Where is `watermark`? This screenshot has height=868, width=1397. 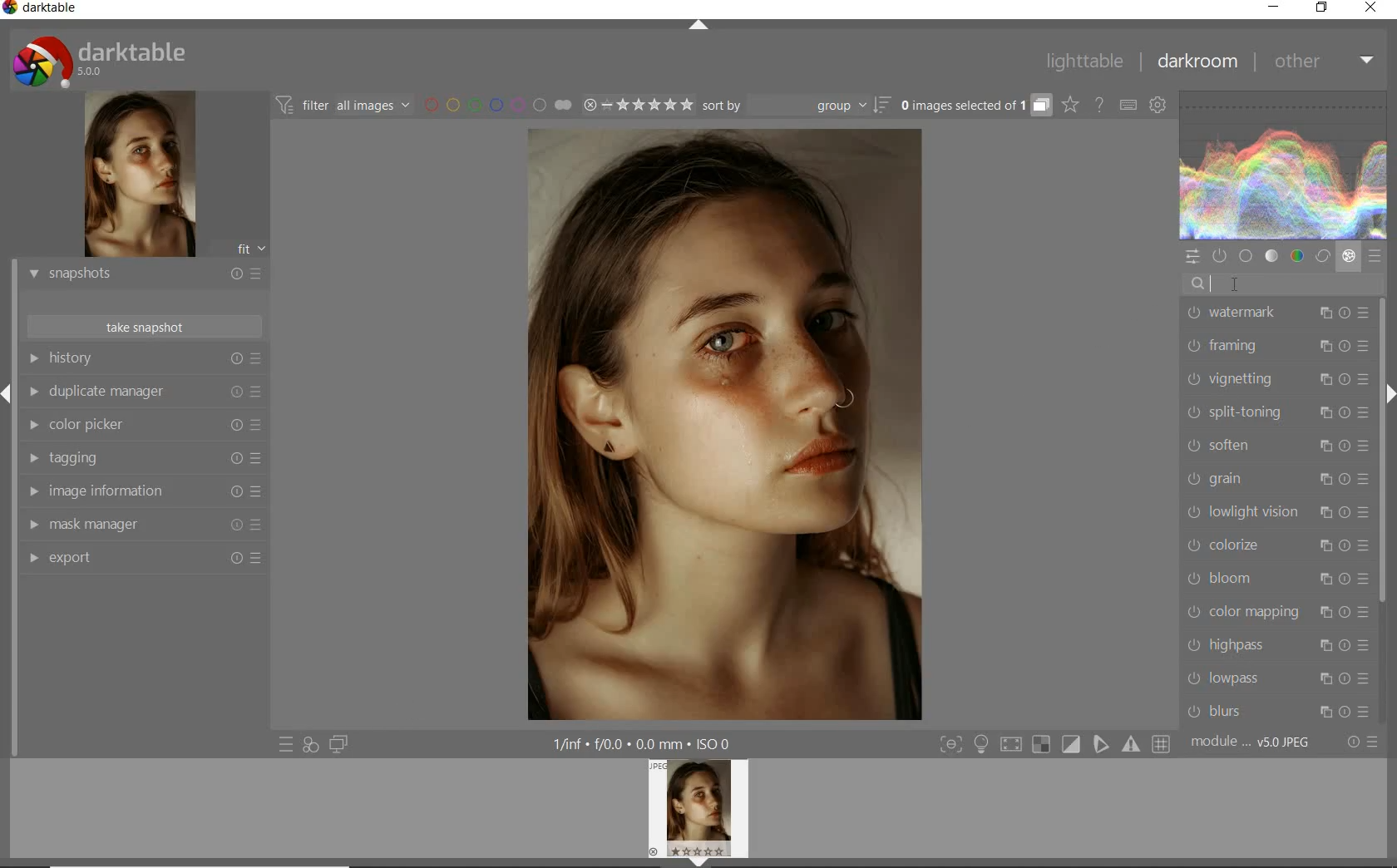
watermark is located at coordinates (1276, 314).